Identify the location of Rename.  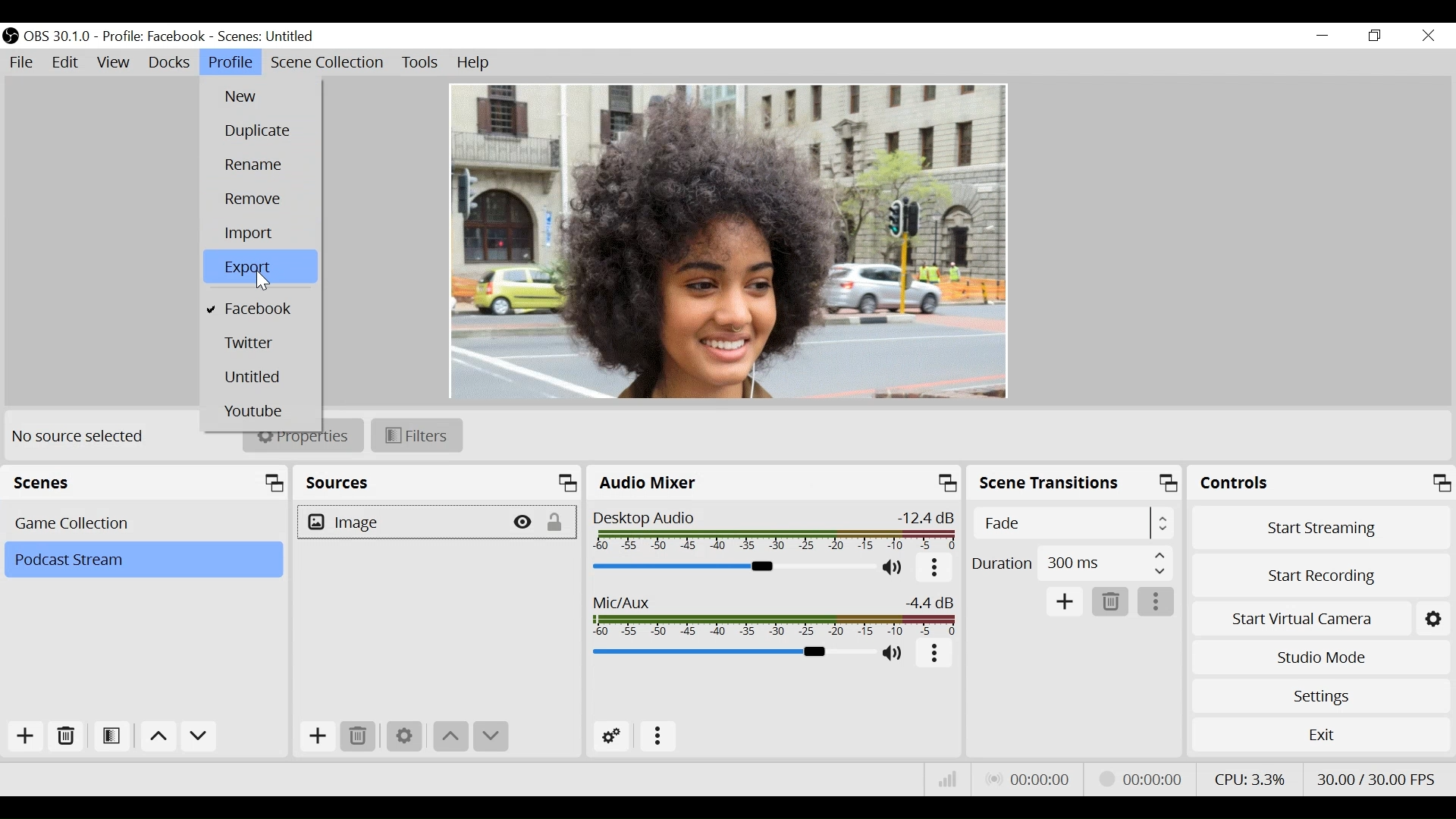
(256, 163).